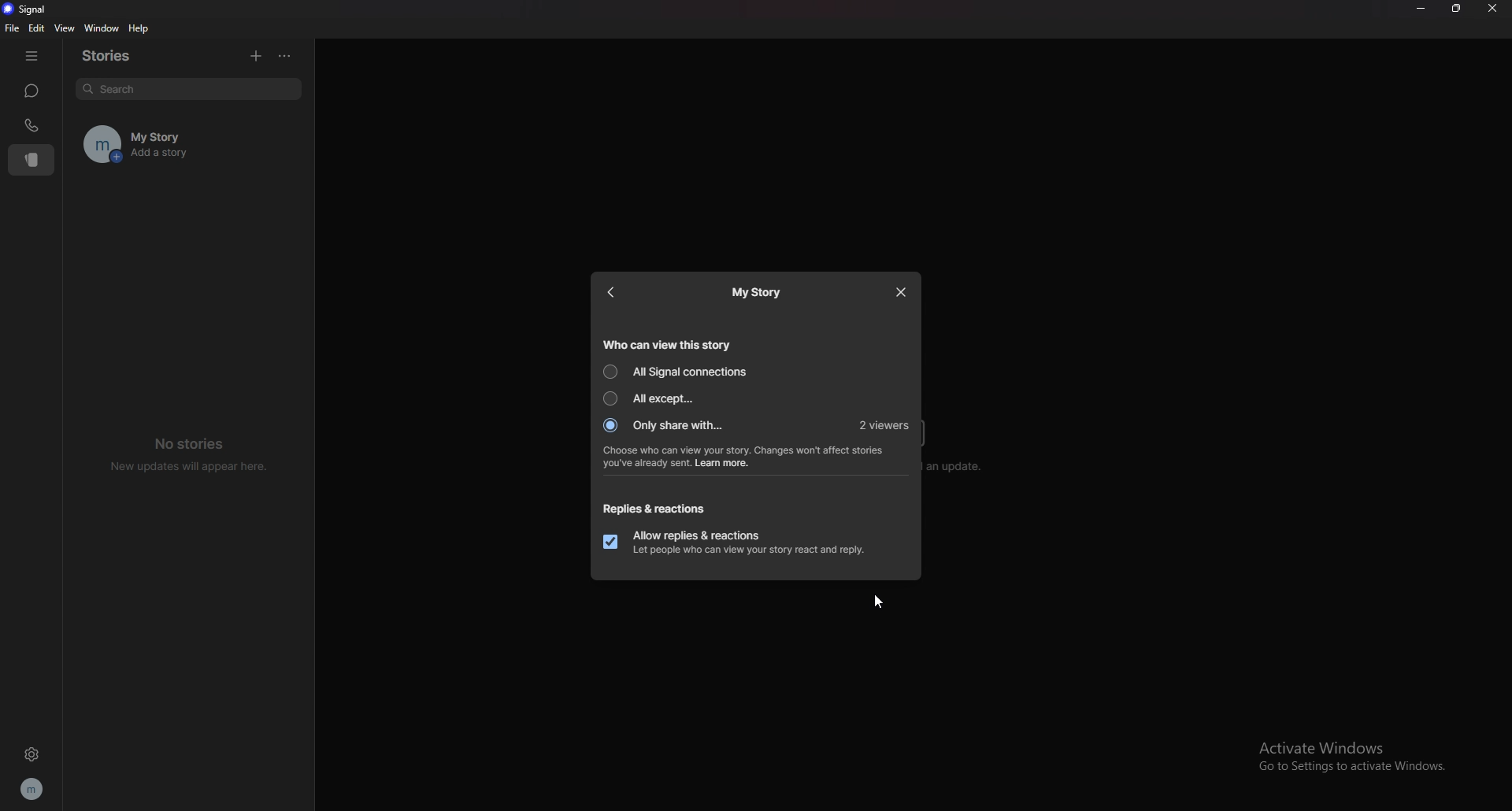 Image resolution: width=1512 pixels, height=811 pixels. What do you see at coordinates (654, 398) in the screenshot?
I see `all ecept` at bounding box center [654, 398].